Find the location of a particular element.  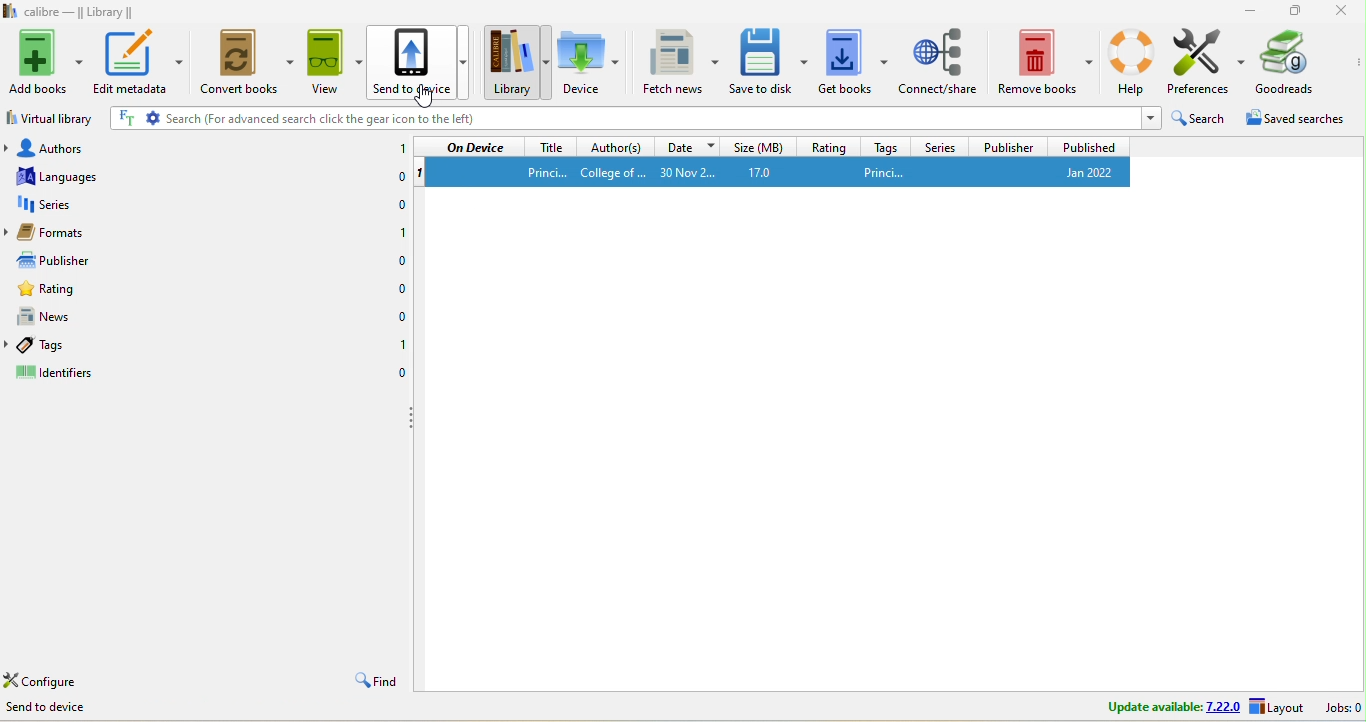

rating is located at coordinates (832, 146).